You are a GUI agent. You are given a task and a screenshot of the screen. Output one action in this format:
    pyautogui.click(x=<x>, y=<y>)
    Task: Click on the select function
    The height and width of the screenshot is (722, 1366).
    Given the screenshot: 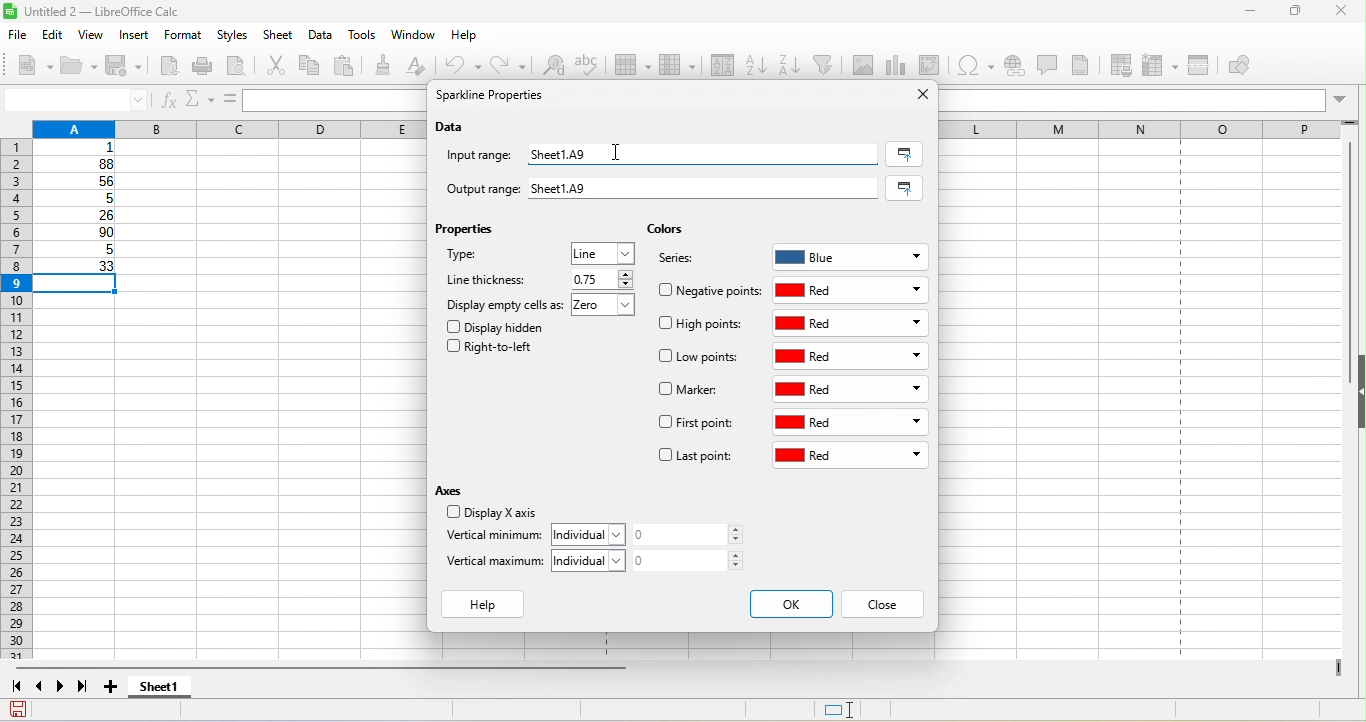 What is the action you would take?
    pyautogui.click(x=197, y=99)
    